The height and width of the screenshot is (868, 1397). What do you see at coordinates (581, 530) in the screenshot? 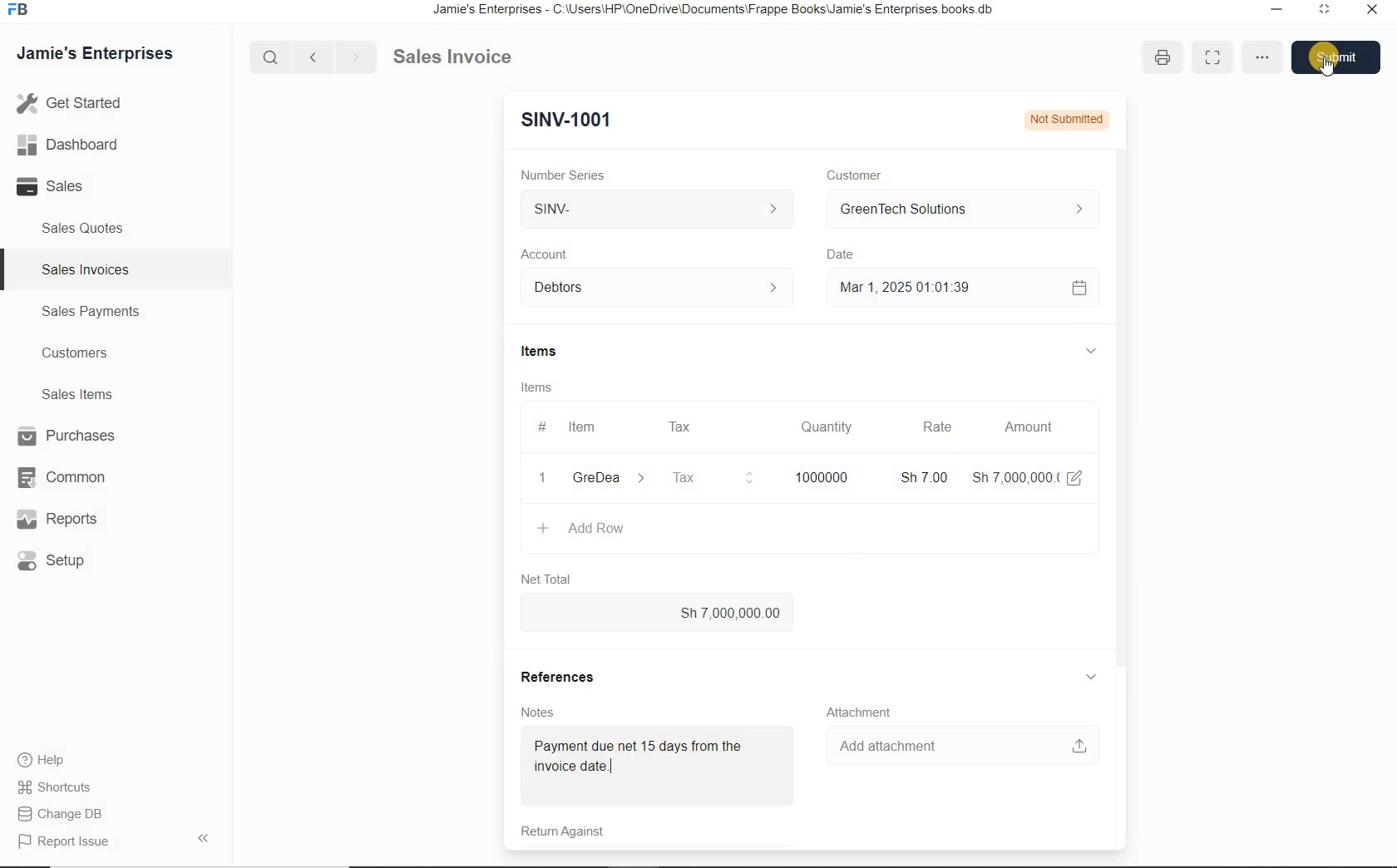
I see `+ Add Row` at bounding box center [581, 530].